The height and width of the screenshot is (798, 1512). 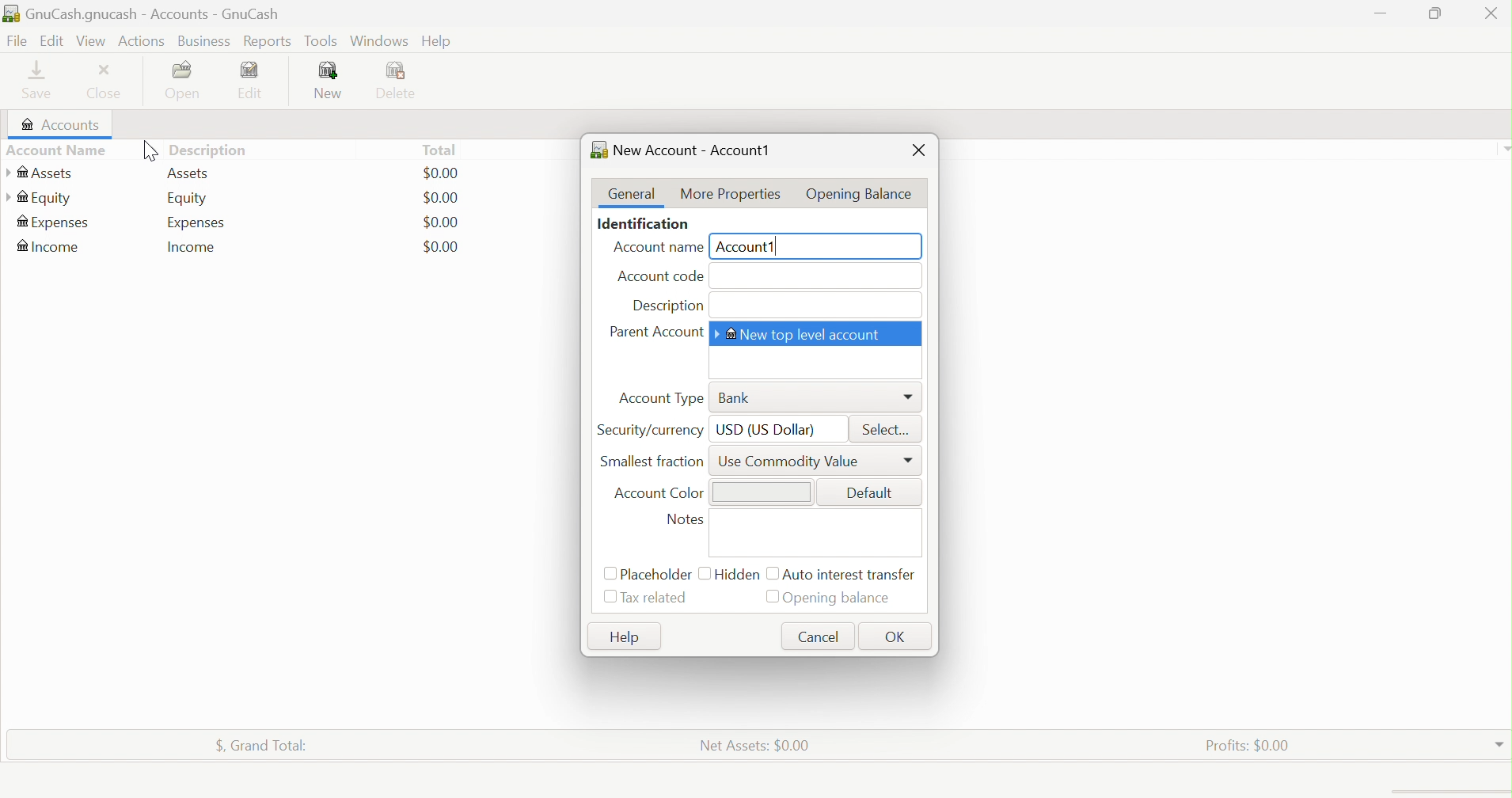 What do you see at coordinates (439, 150) in the screenshot?
I see `Total` at bounding box center [439, 150].